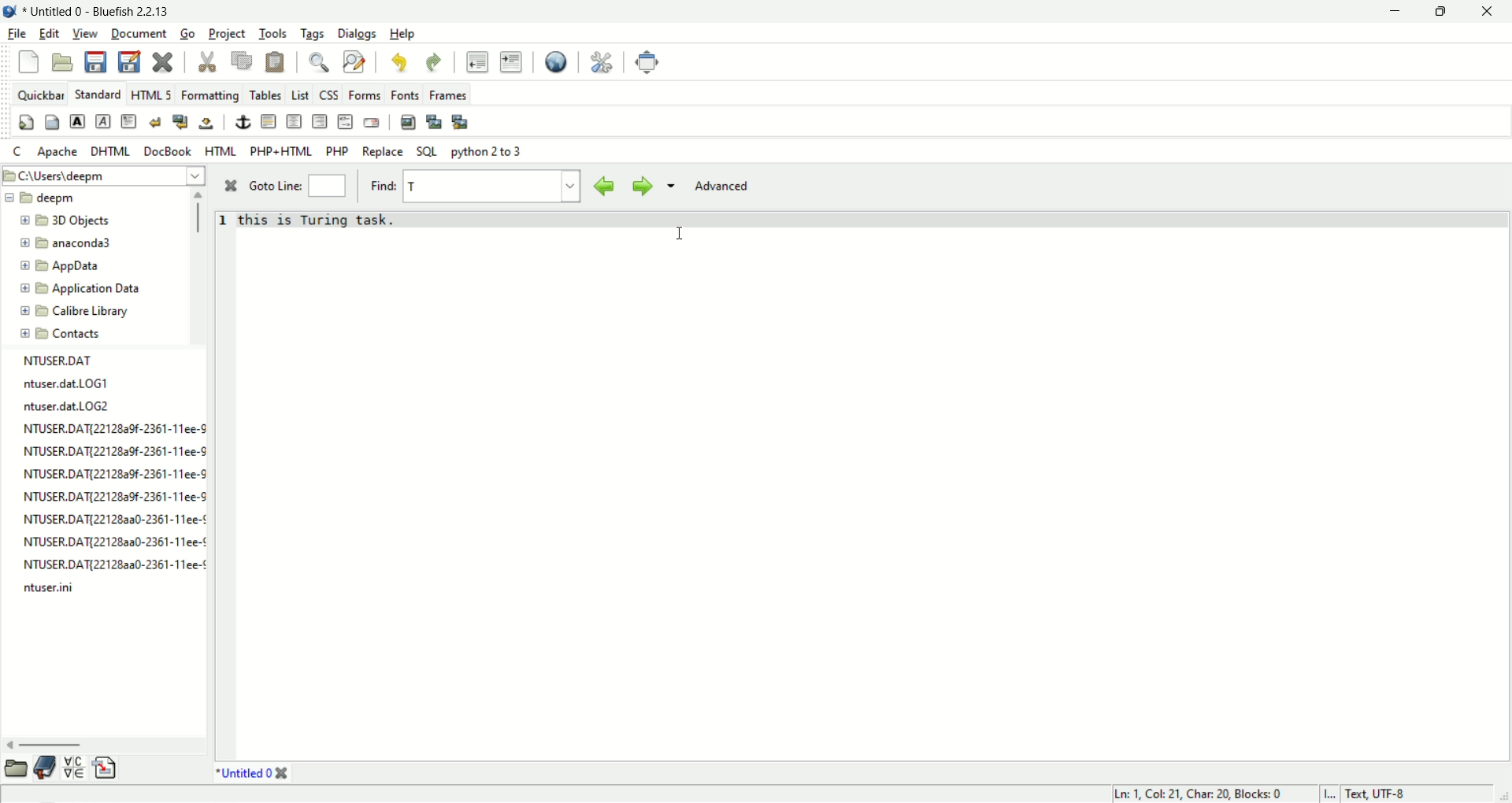 This screenshot has width=1512, height=803. Describe the element at coordinates (94, 61) in the screenshot. I see `save` at that location.